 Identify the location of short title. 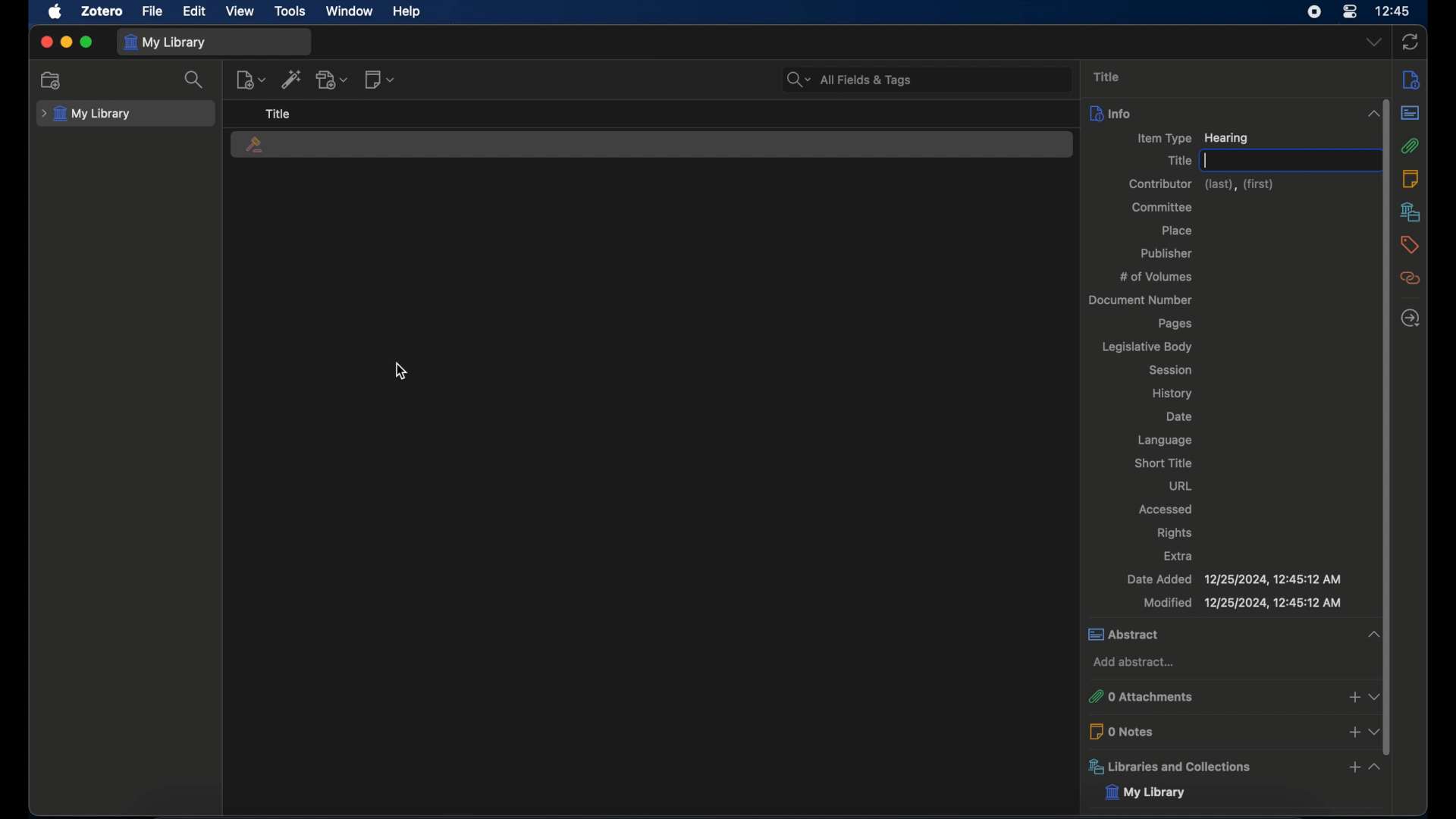
(1164, 463).